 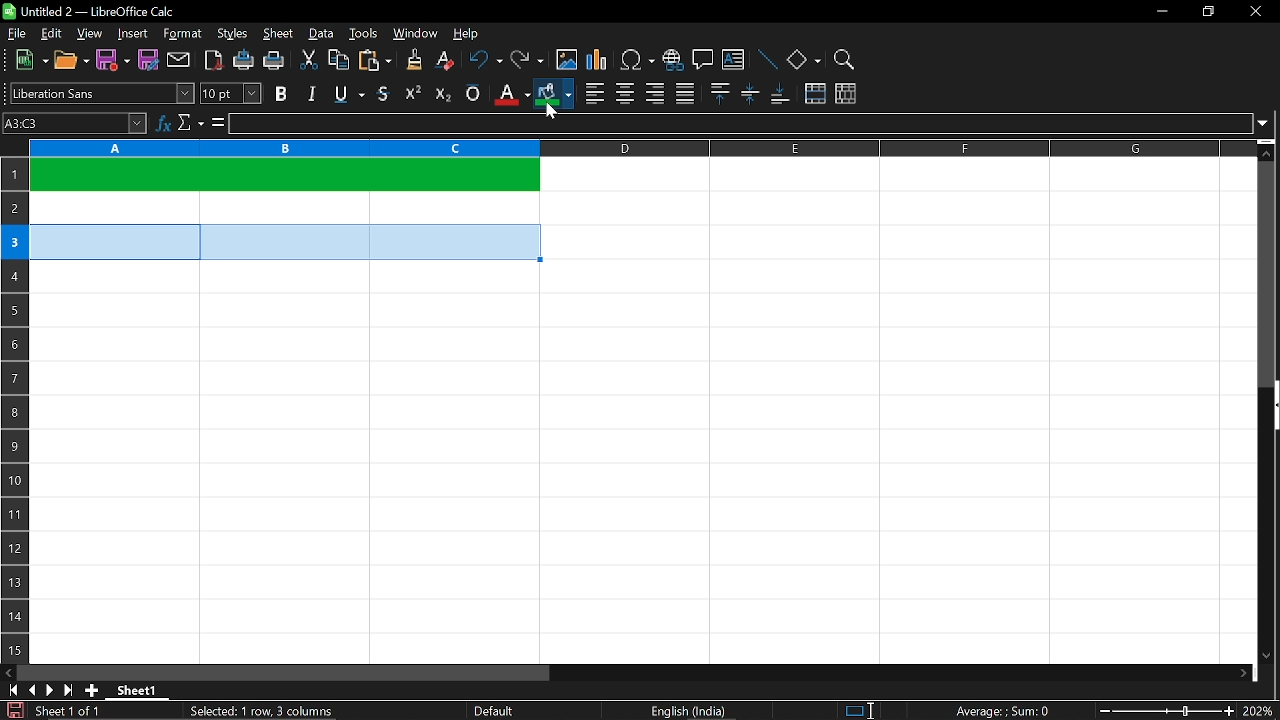 What do you see at coordinates (779, 95) in the screenshot?
I see `align bottom` at bounding box center [779, 95].